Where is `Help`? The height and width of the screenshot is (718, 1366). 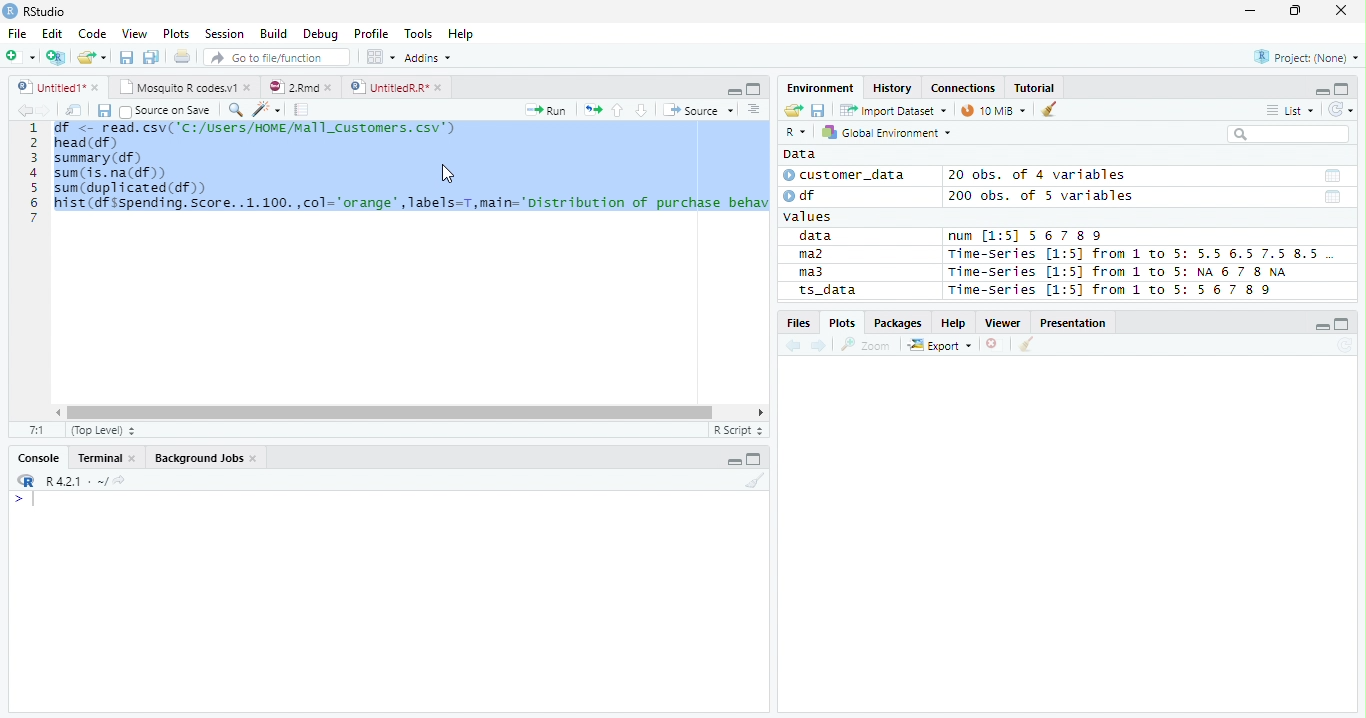
Help is located at coordinates (463, 34).